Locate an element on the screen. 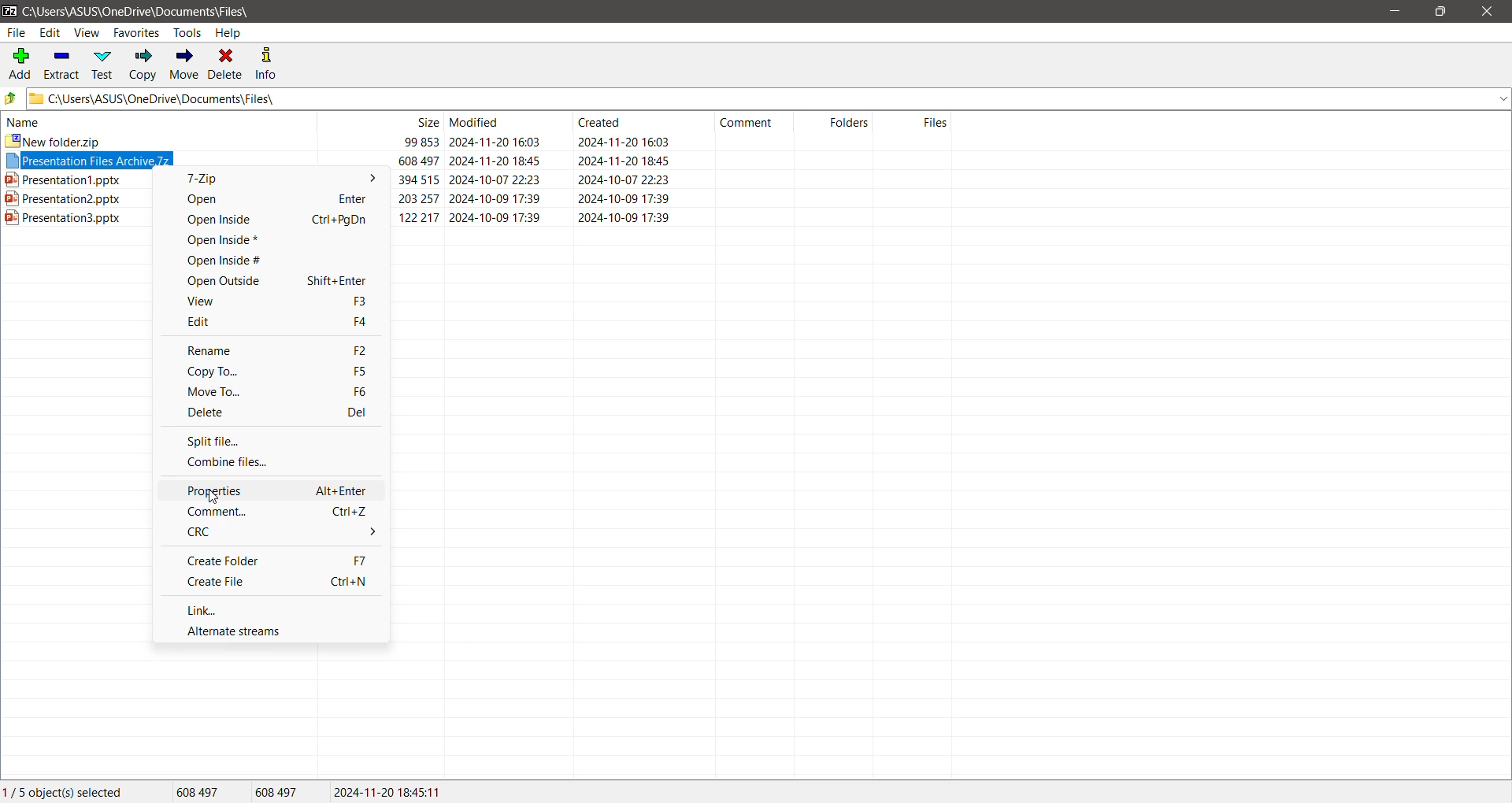  Alt+Enter is located at coordinates (336, 489).